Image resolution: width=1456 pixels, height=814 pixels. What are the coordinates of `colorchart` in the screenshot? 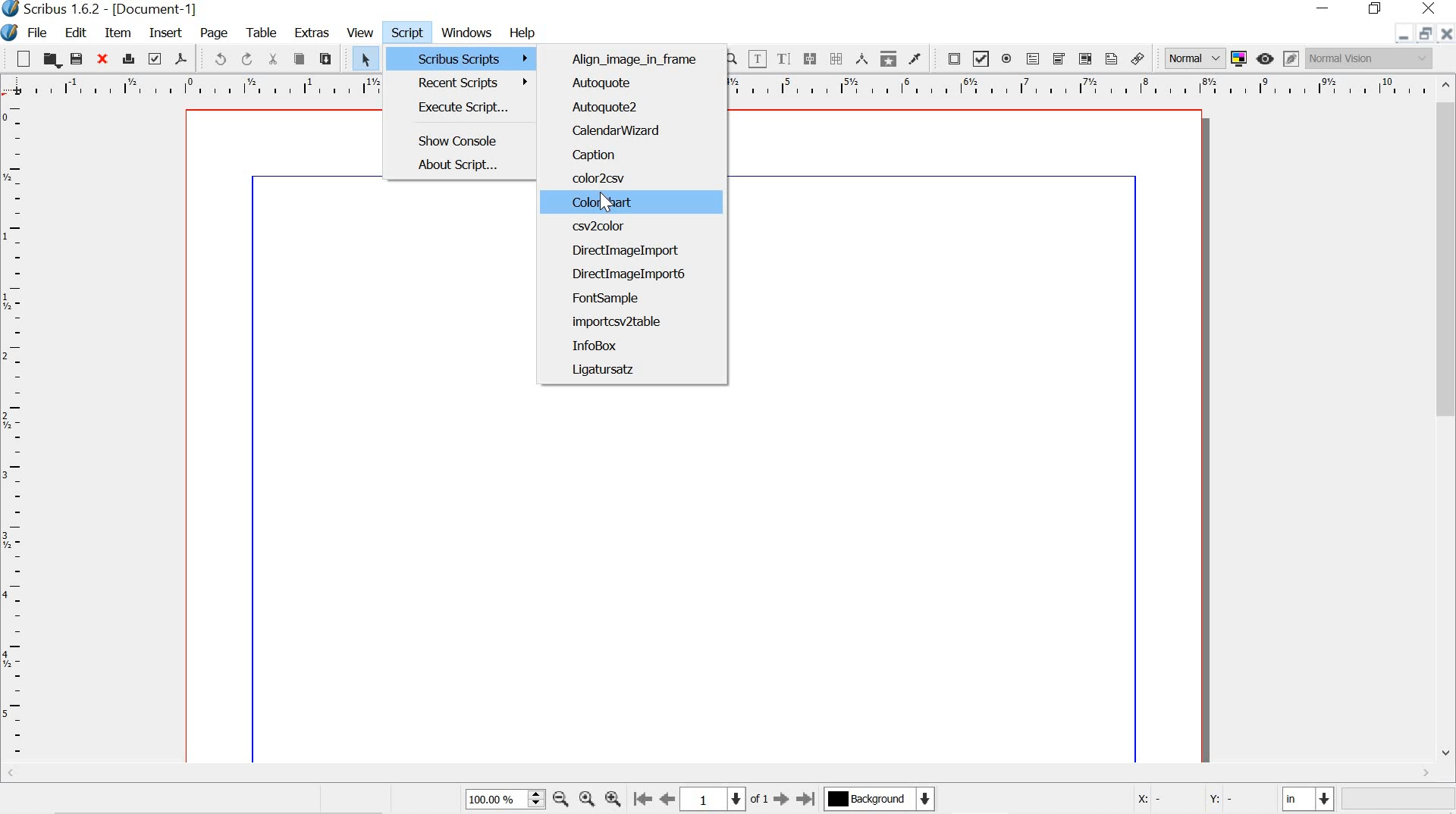 It's located at (639, 202).